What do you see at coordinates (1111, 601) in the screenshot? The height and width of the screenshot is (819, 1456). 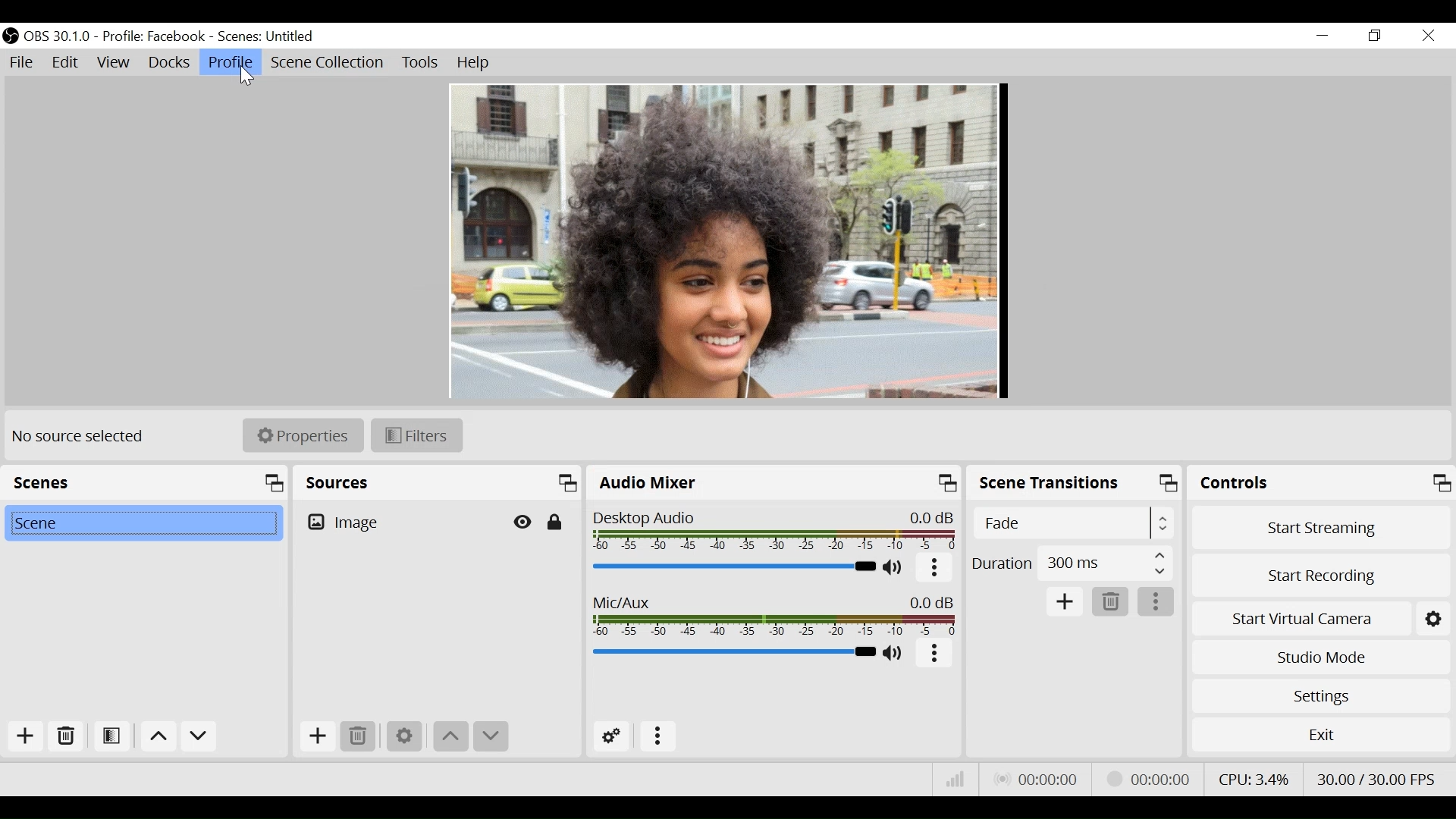 I see `Delete` at bounding box center [1111, 601].